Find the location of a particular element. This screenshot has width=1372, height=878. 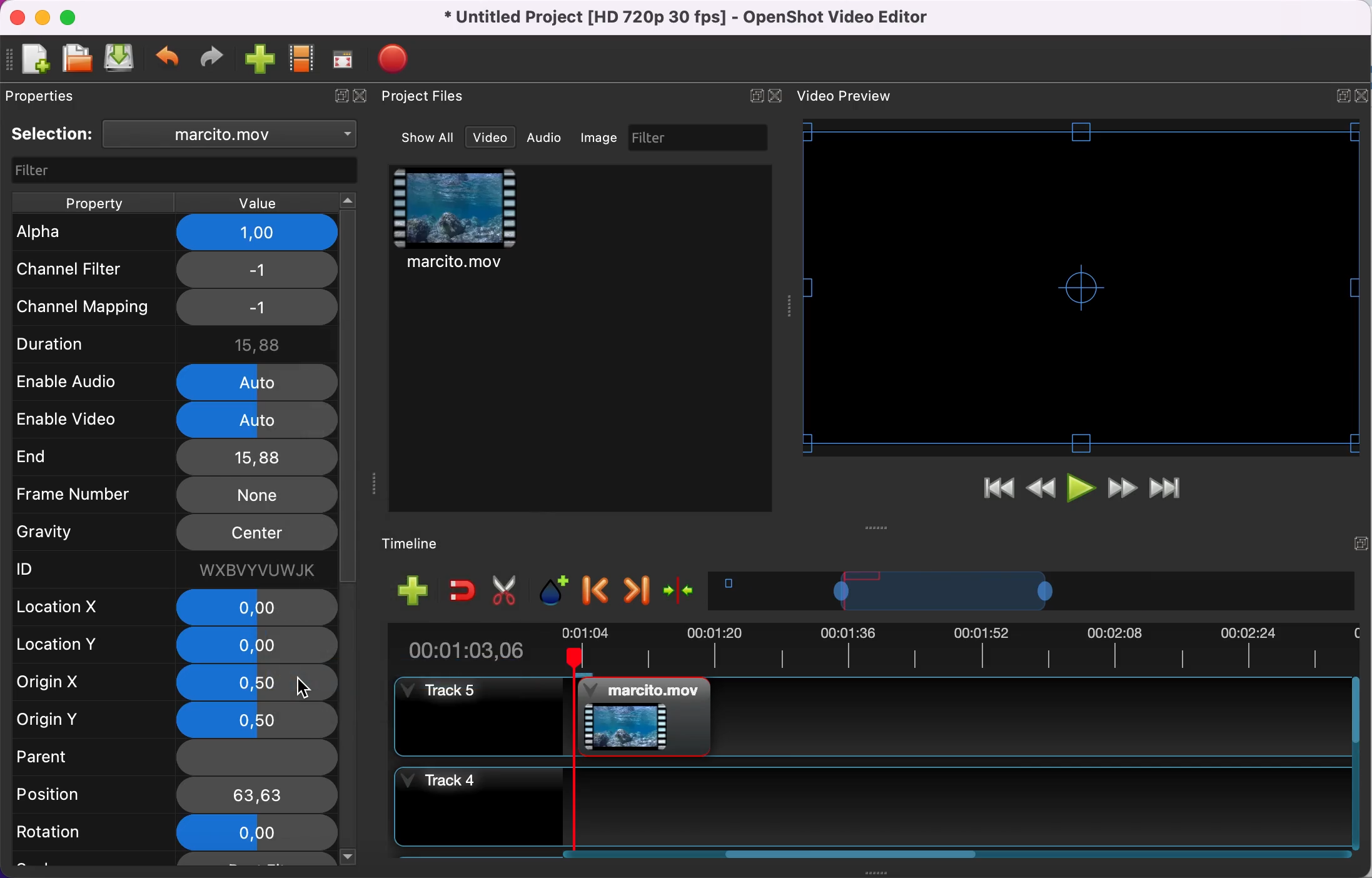

Close is located at coordinates (1361, 96).